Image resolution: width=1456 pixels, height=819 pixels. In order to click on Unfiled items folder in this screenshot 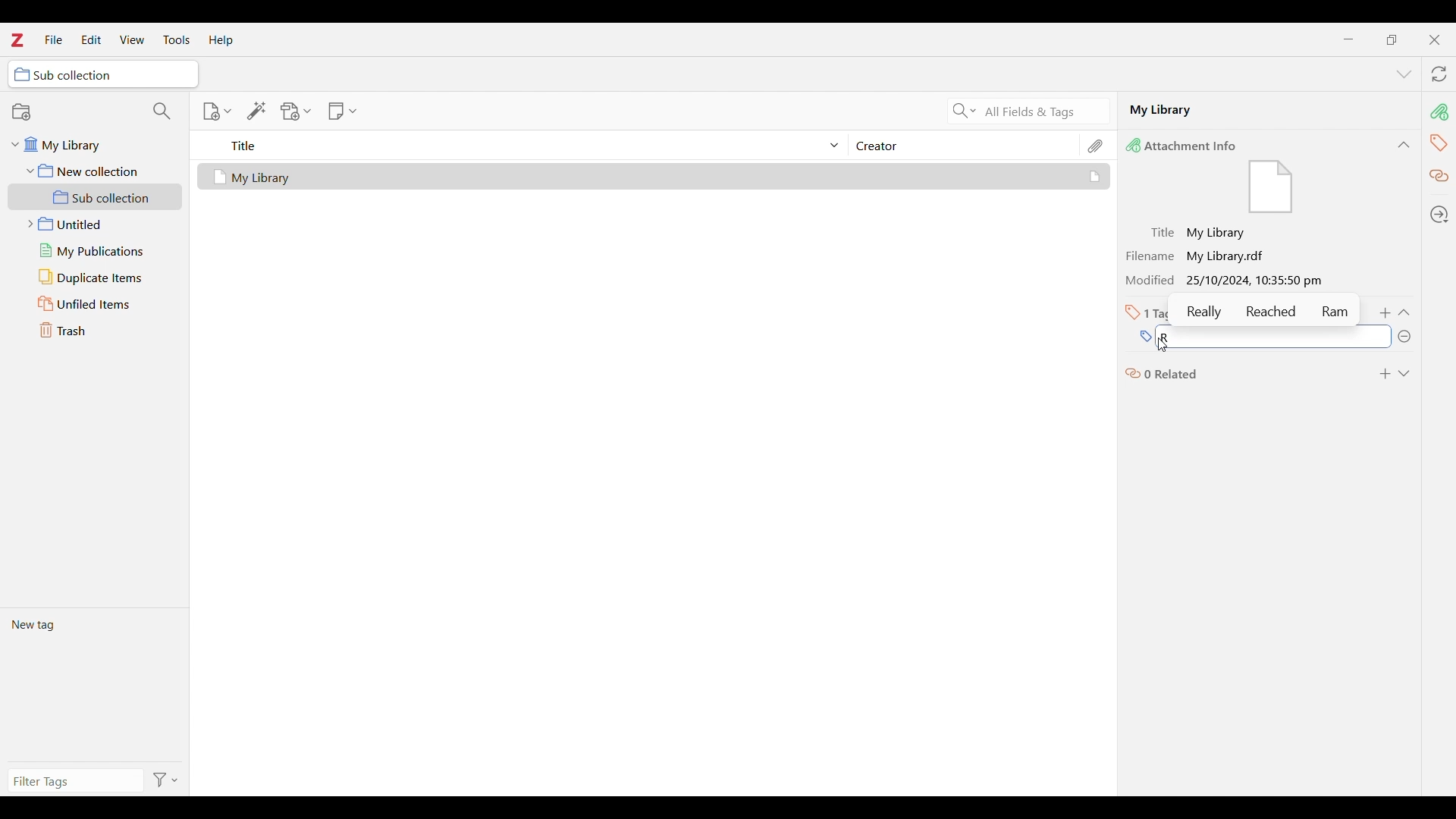, I will do `click(95, 303)`.